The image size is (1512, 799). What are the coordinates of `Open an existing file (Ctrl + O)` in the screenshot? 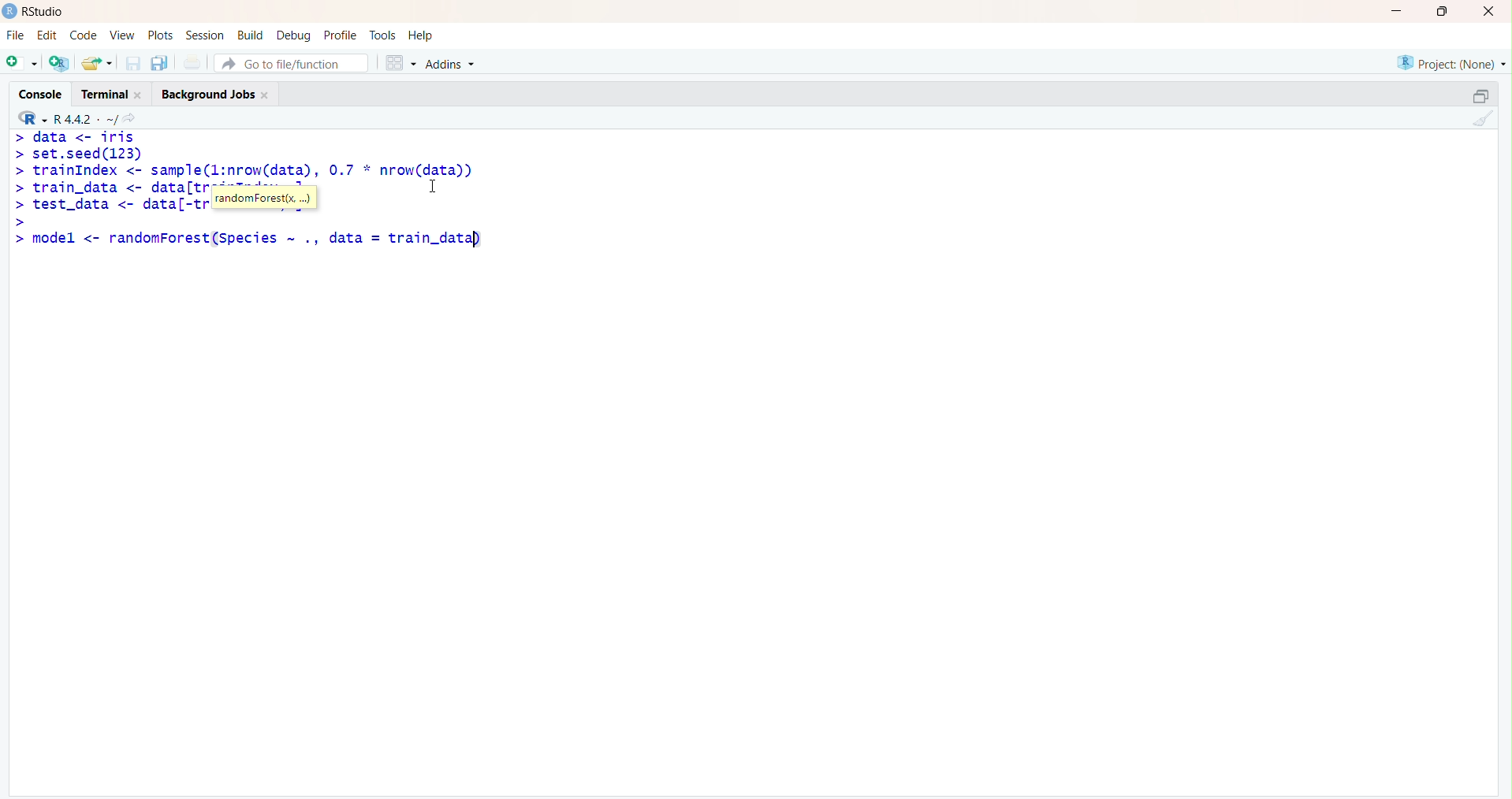 It's located at (99, 63).